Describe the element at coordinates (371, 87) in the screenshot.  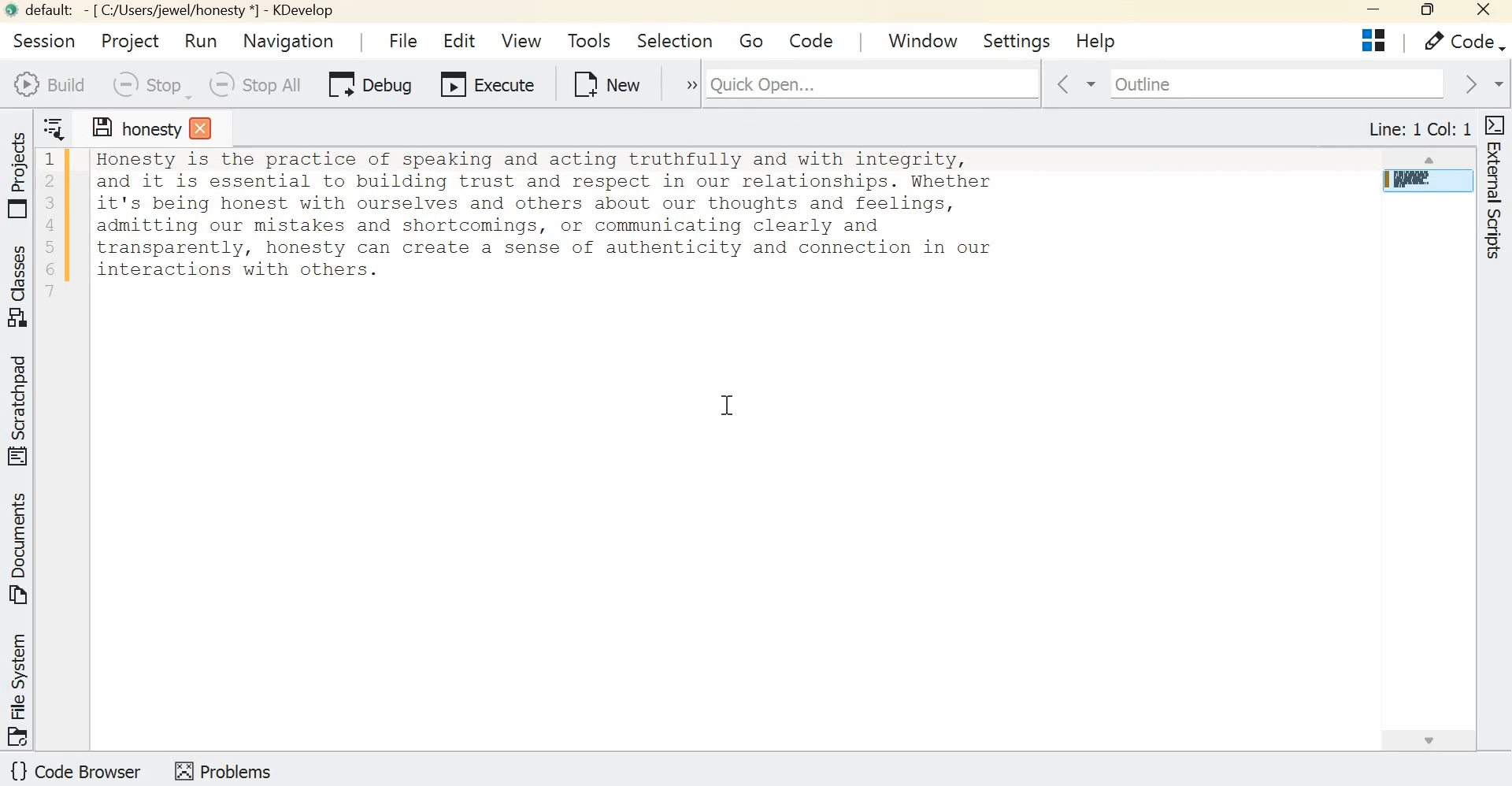
I see `Debug current launch` at that location.